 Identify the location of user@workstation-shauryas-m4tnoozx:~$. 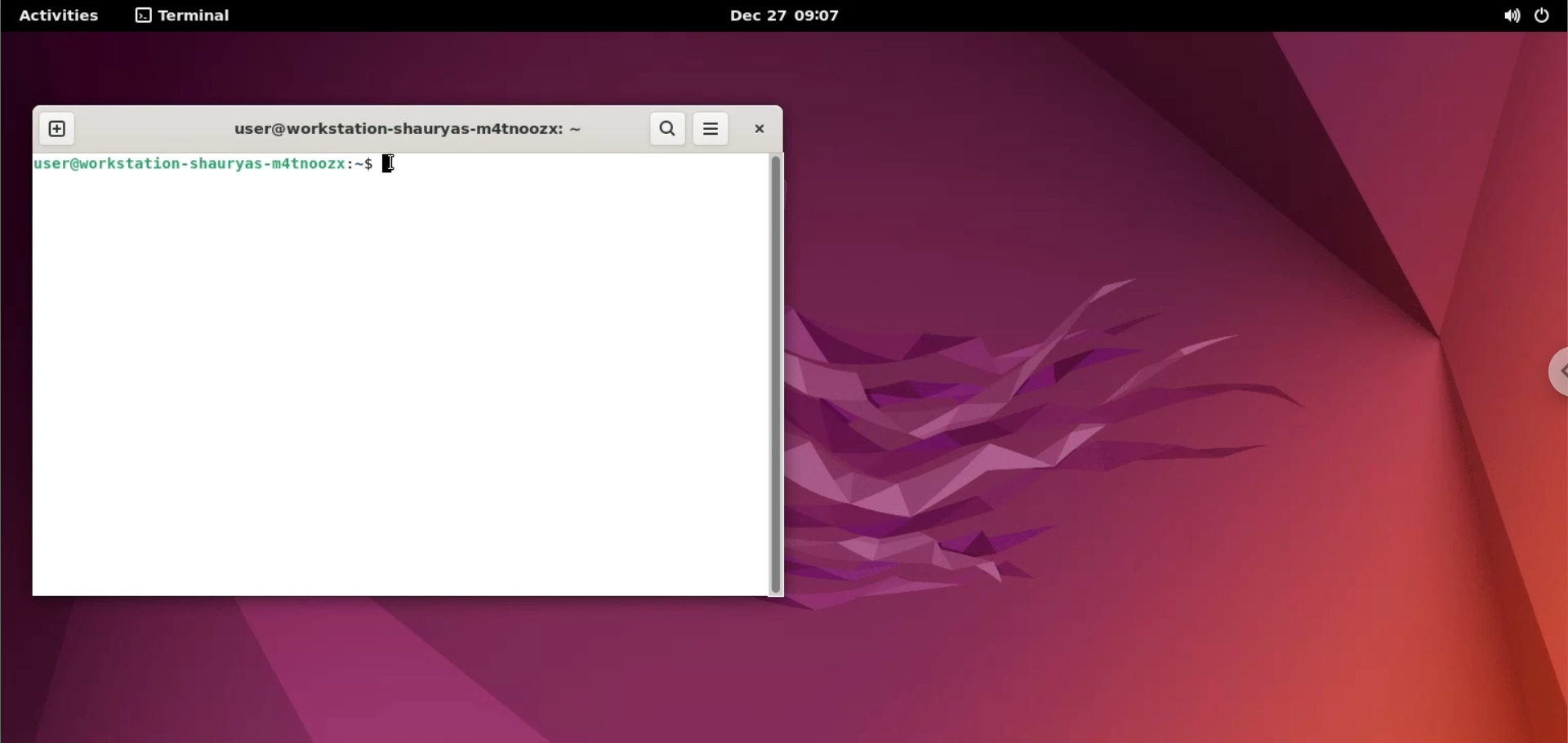
(203, 165).